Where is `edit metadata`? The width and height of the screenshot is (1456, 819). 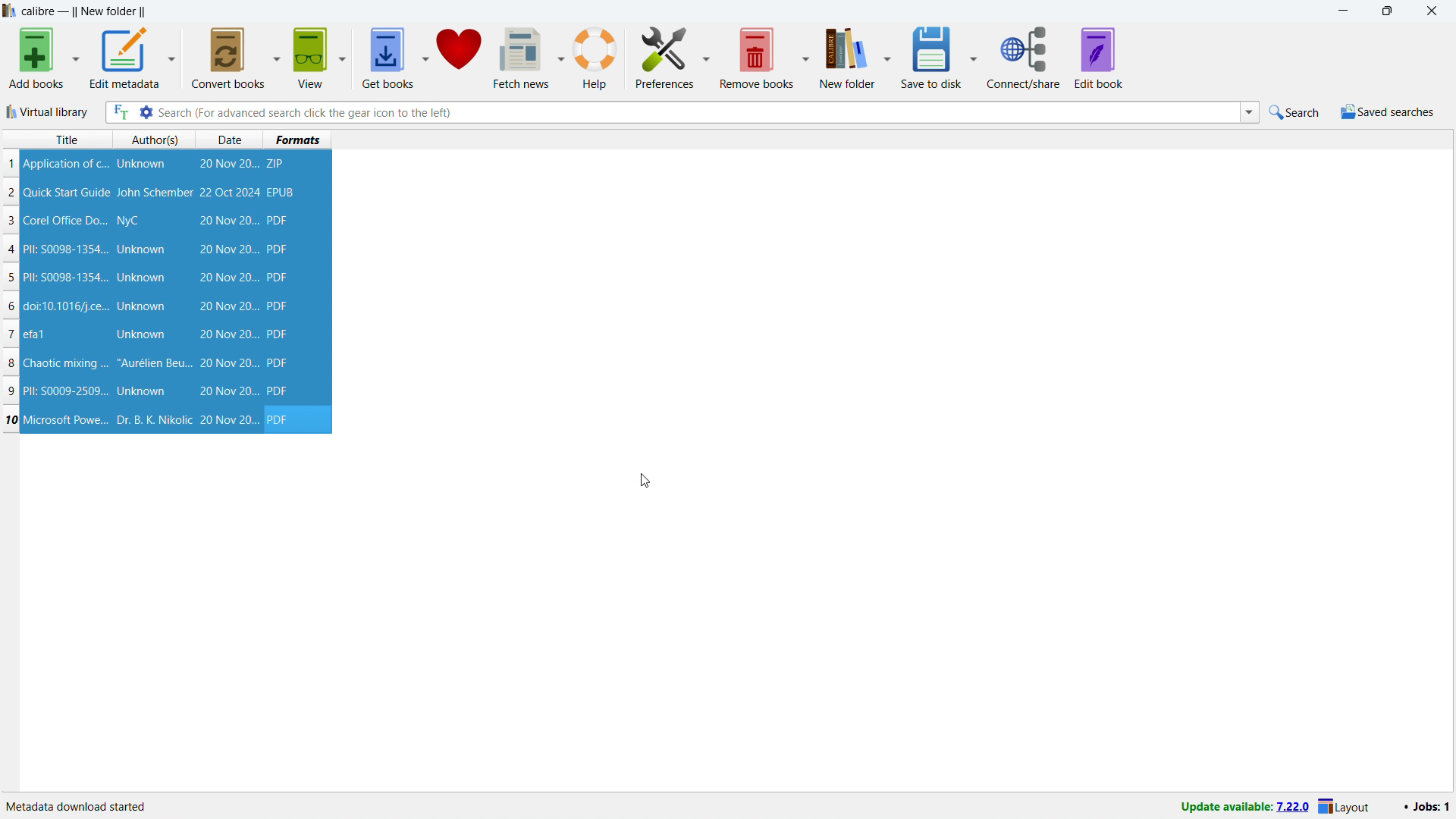 edit metadata is located at coordinates (125, 57).